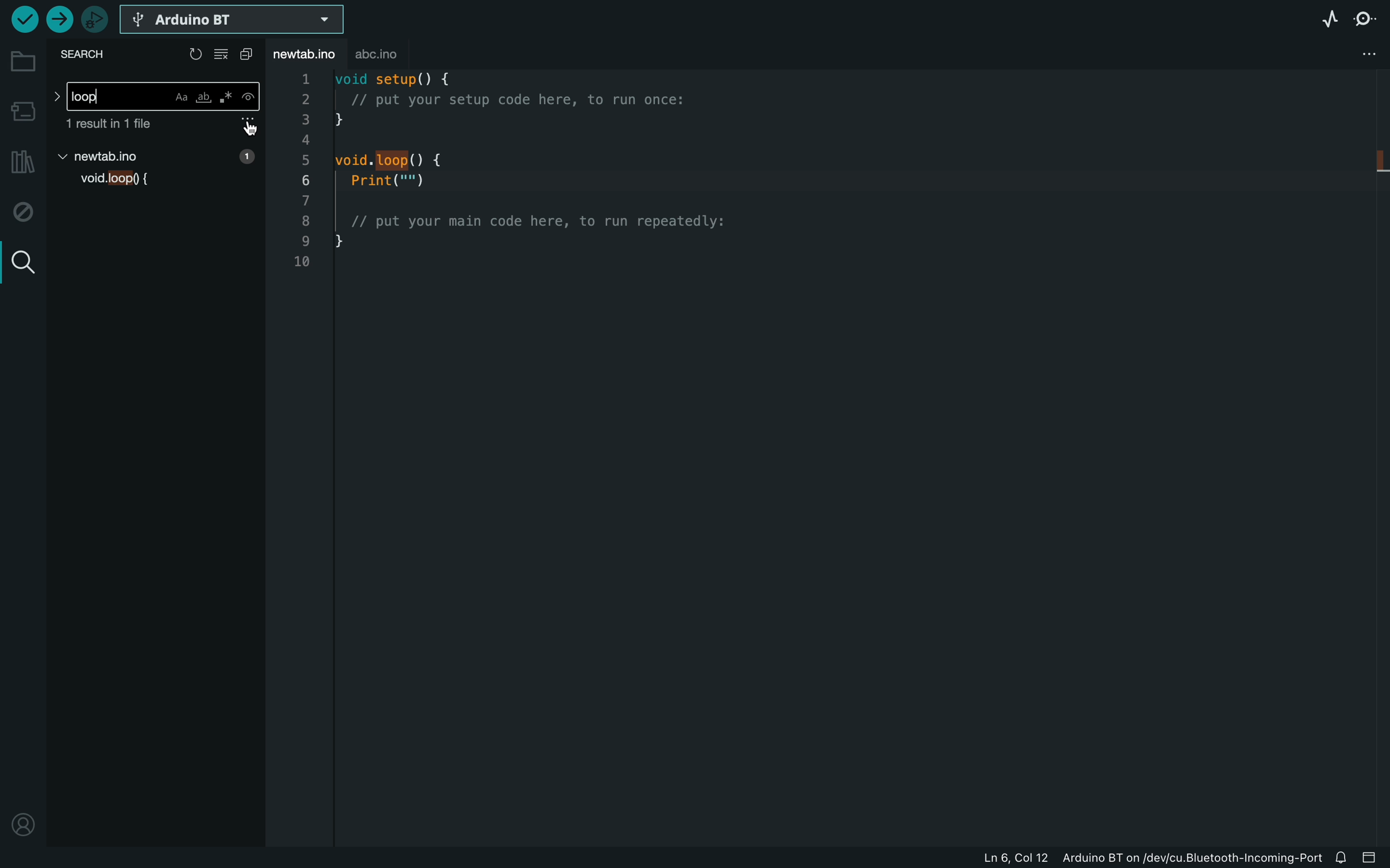  I want to click on void loop, so click(113, 183).